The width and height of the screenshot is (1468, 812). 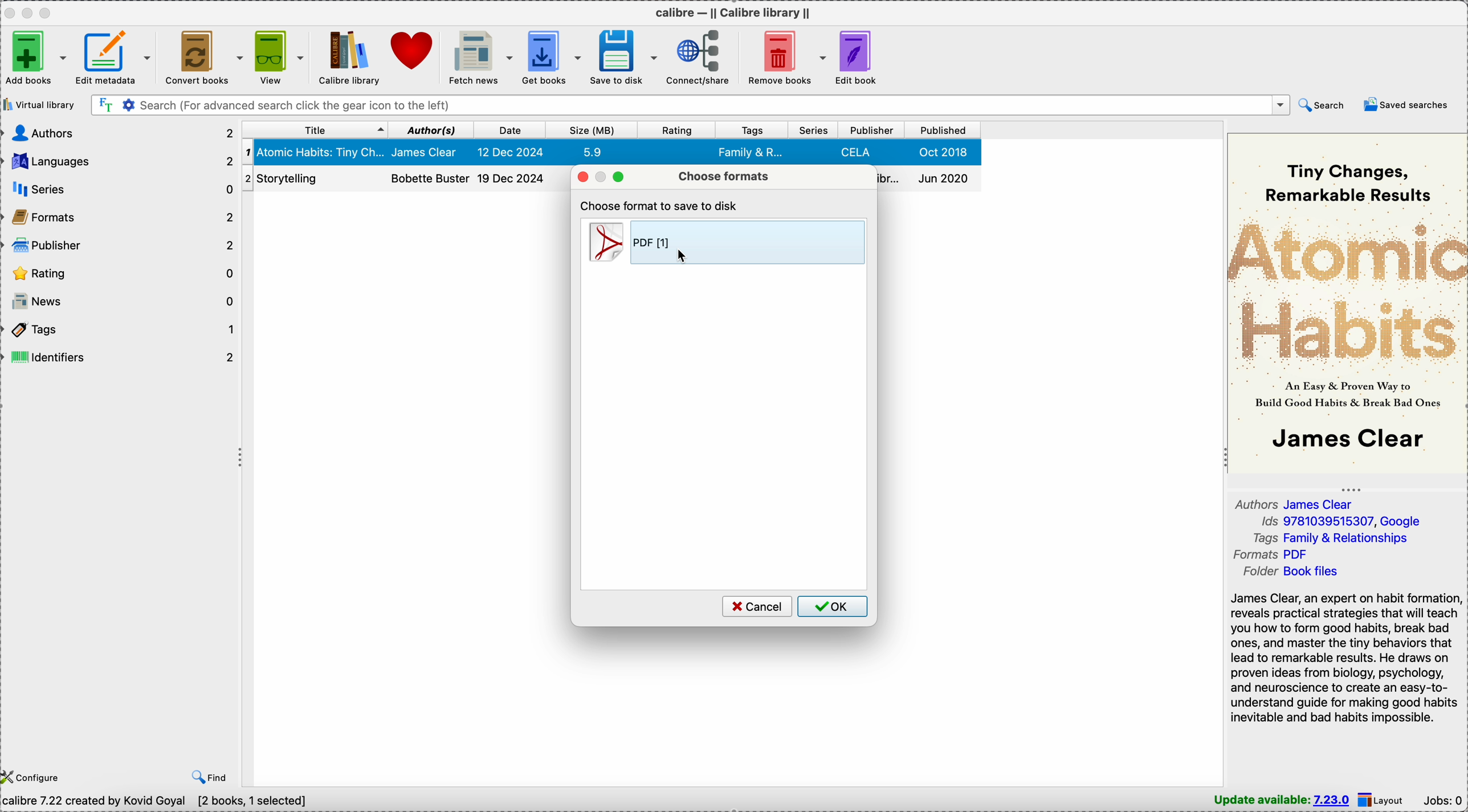 What do you see at coordinates (1331, 537) in the screenshot?
I see `tags Family & Relationships` at bounding box center [1331, 537].